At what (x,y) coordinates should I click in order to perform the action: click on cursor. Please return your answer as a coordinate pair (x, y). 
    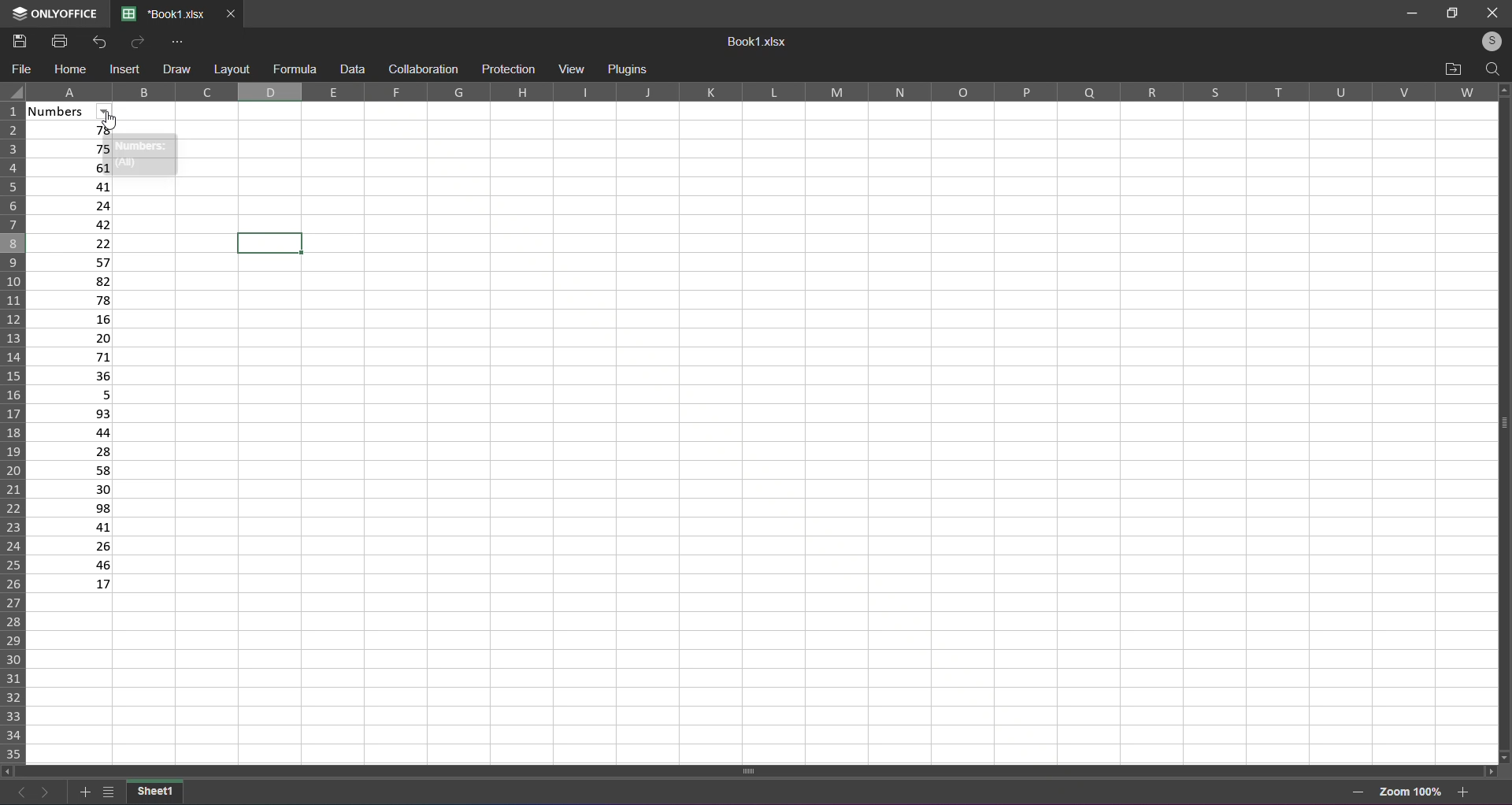
    Looking at the image, I should click on (113, 123).